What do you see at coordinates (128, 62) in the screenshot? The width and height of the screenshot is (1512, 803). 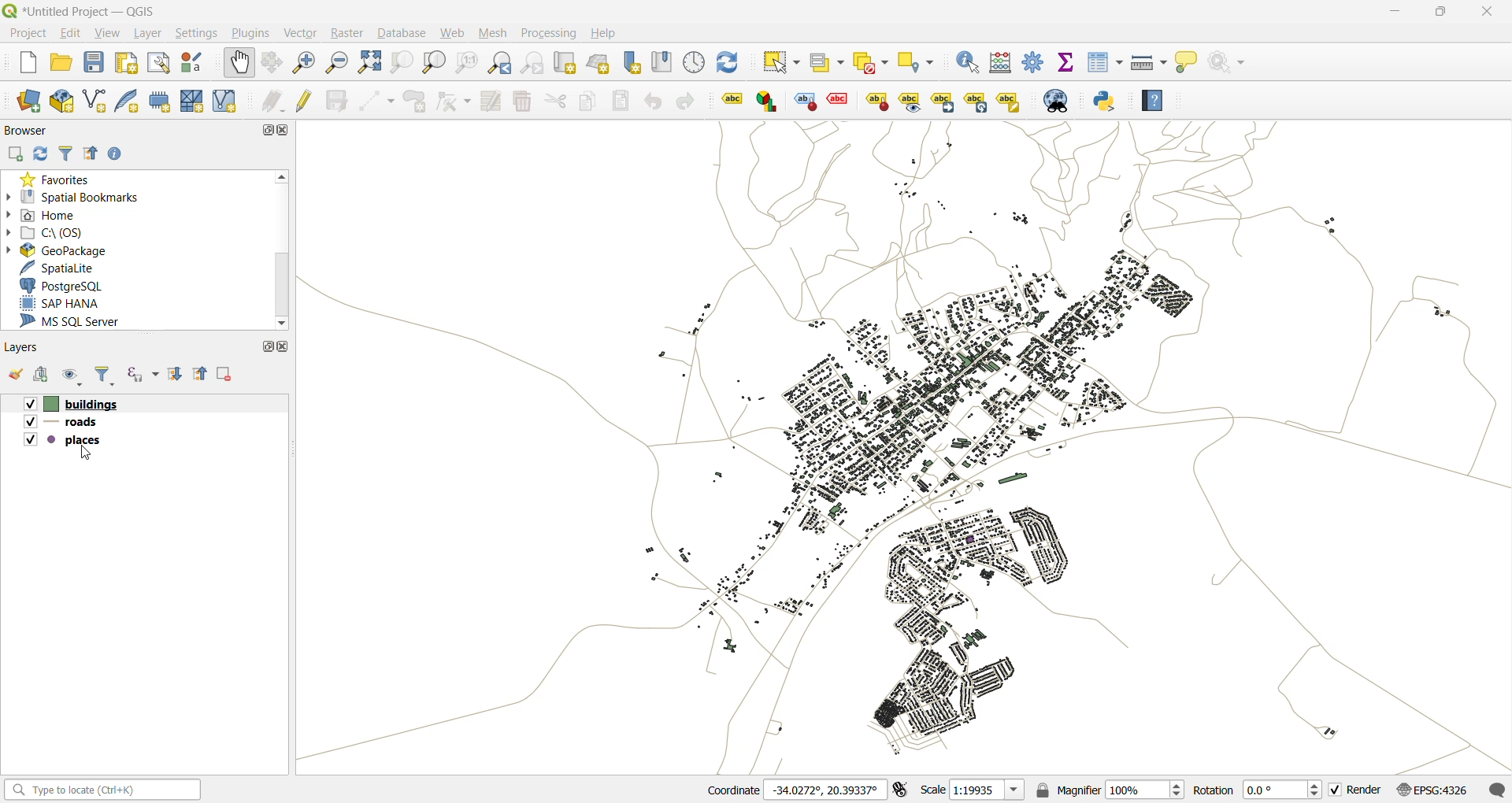 I see `print layout` at bounding box center [128, 62].